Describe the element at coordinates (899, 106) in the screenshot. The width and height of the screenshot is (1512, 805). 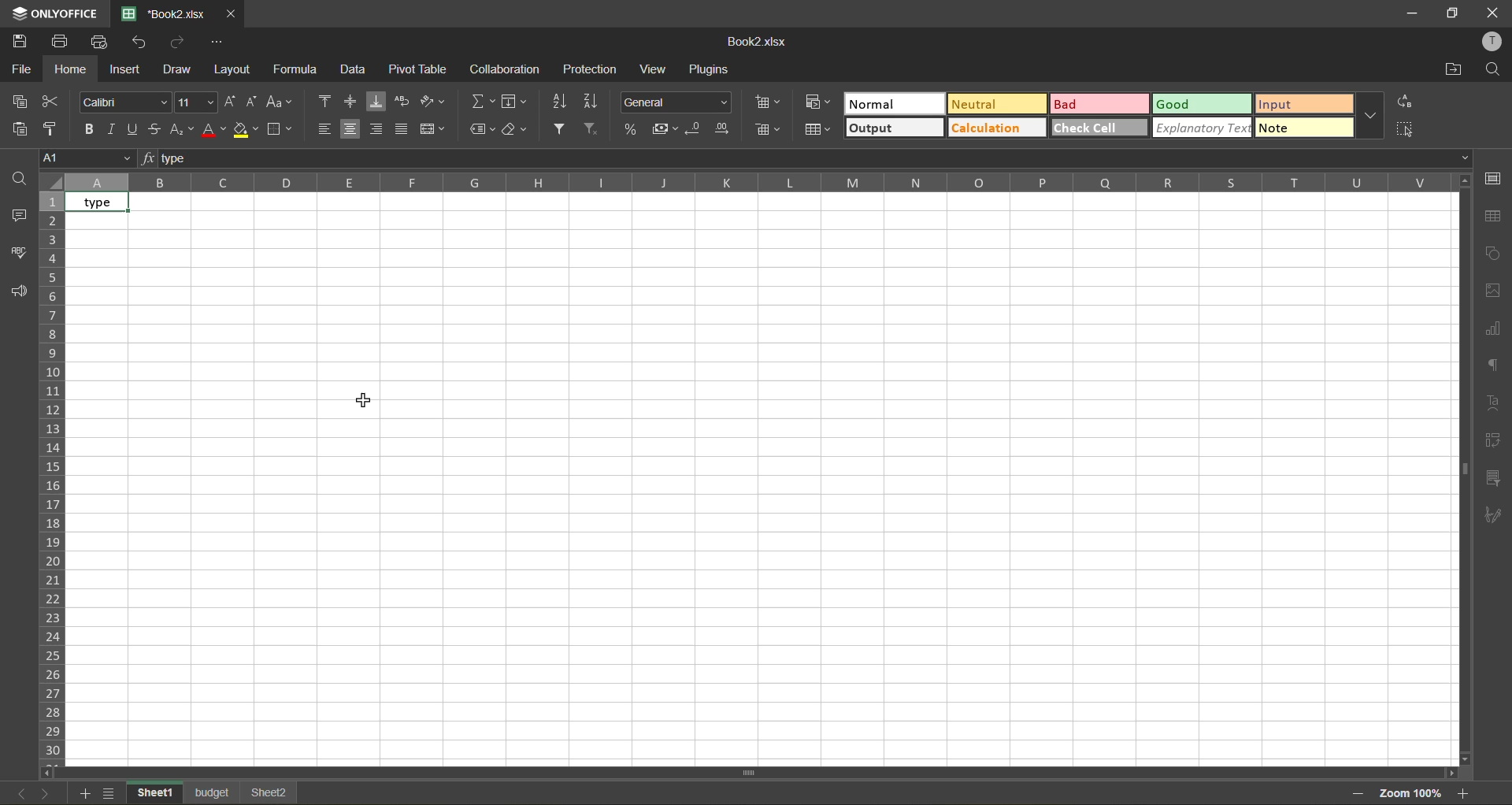
I see `normal` at that location.